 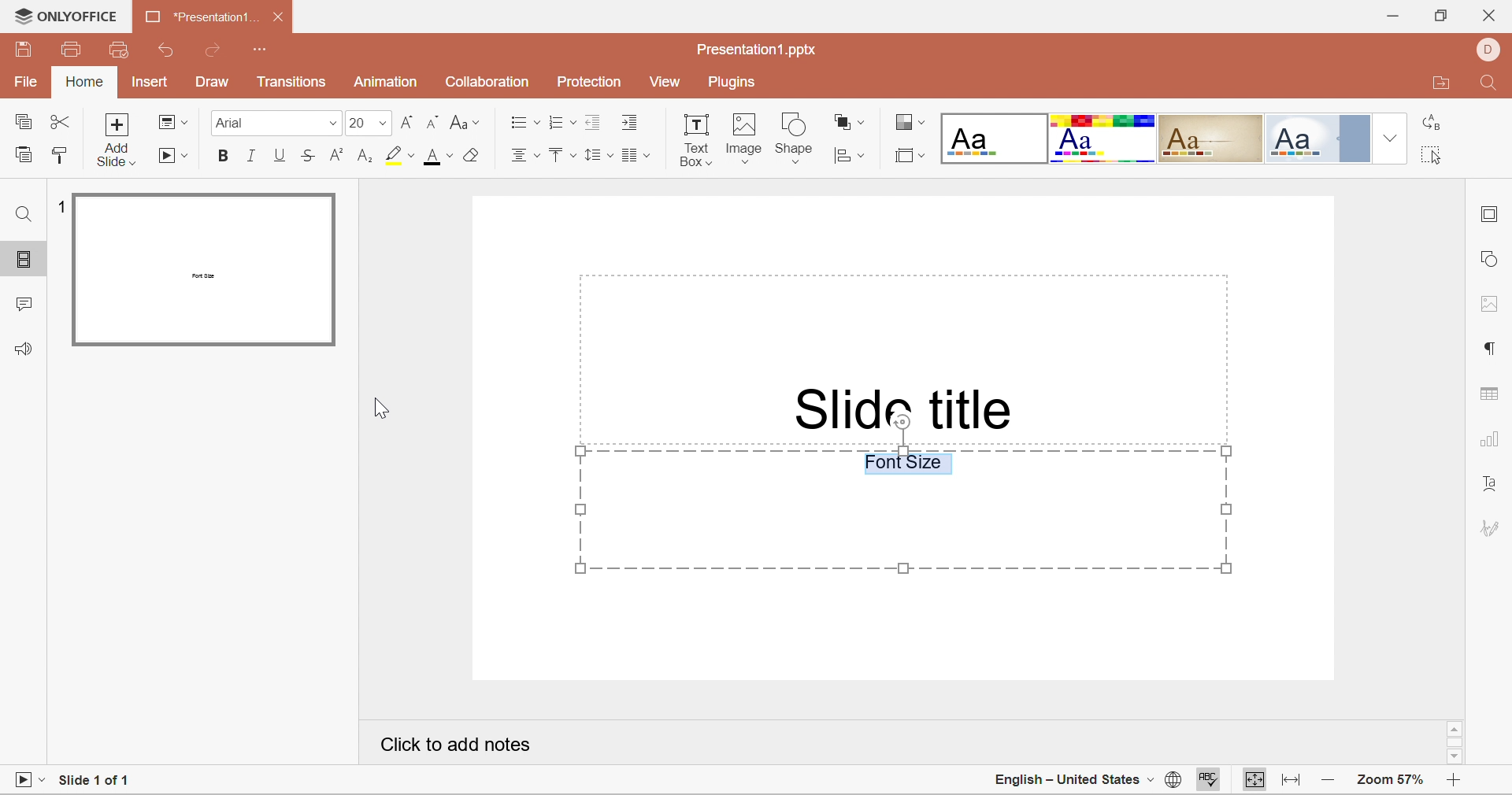 What do you see at coordinates (1391, 135) in the screenshot?
I see `Drop Down` at bounding box center [1391, 135].